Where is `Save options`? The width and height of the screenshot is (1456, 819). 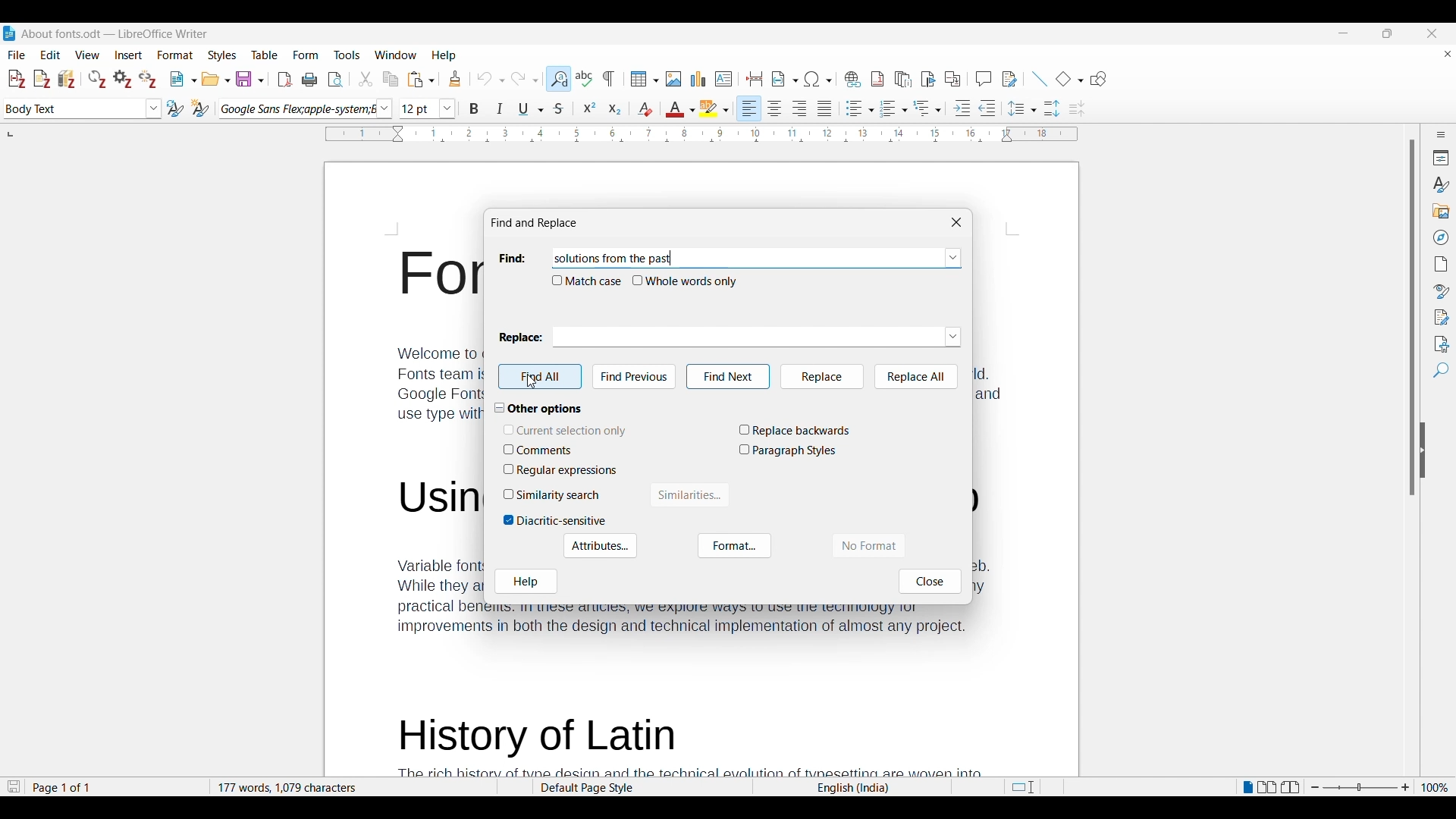
Save options is located at coordinates (250, 79).